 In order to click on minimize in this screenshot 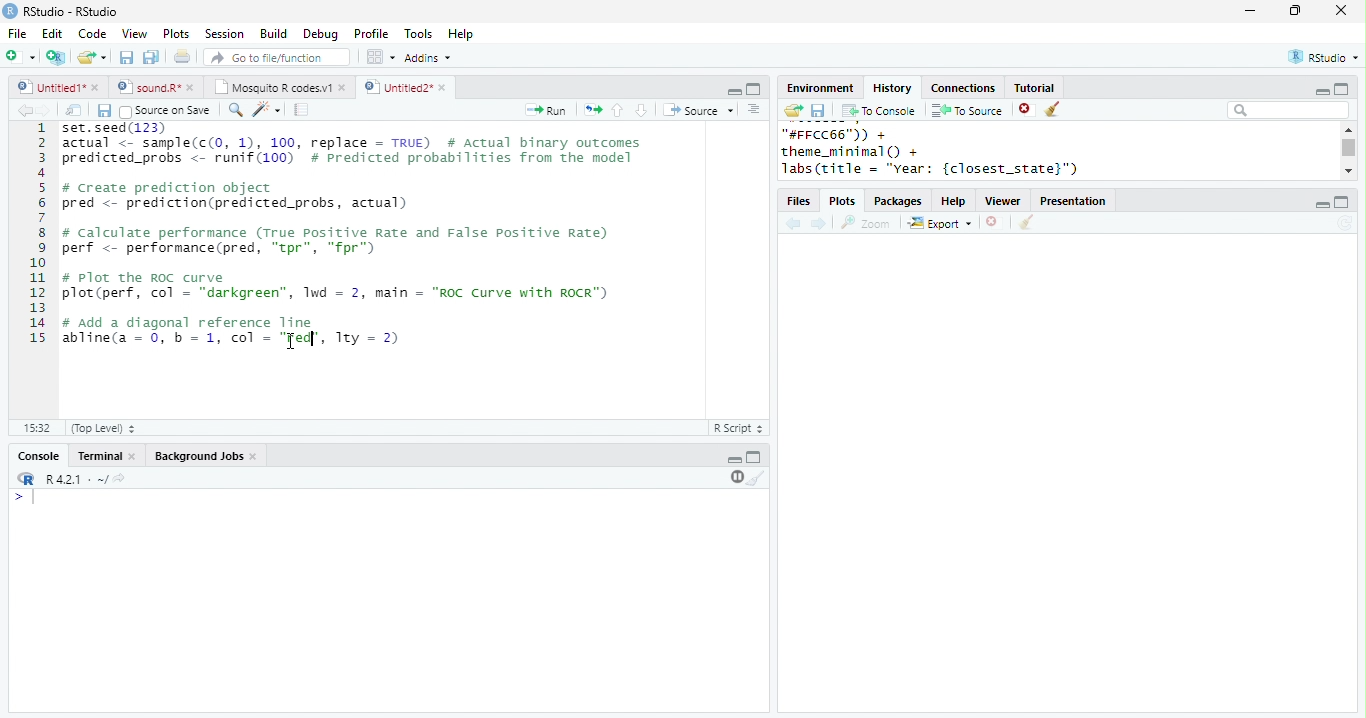, I will do `click(734, 90)`.